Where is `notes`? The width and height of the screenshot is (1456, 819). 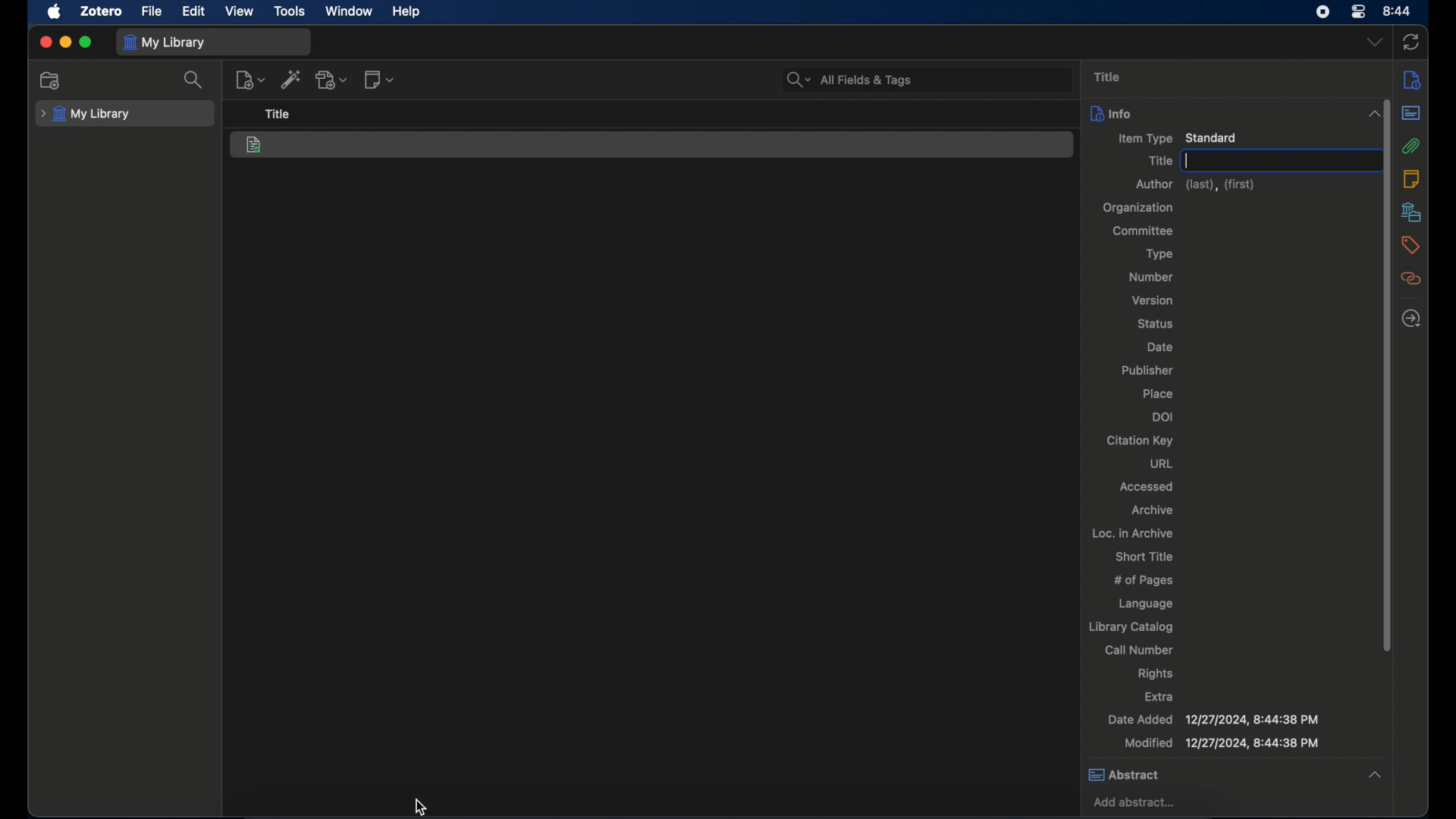
notes is located at coordinates (1409, 178).